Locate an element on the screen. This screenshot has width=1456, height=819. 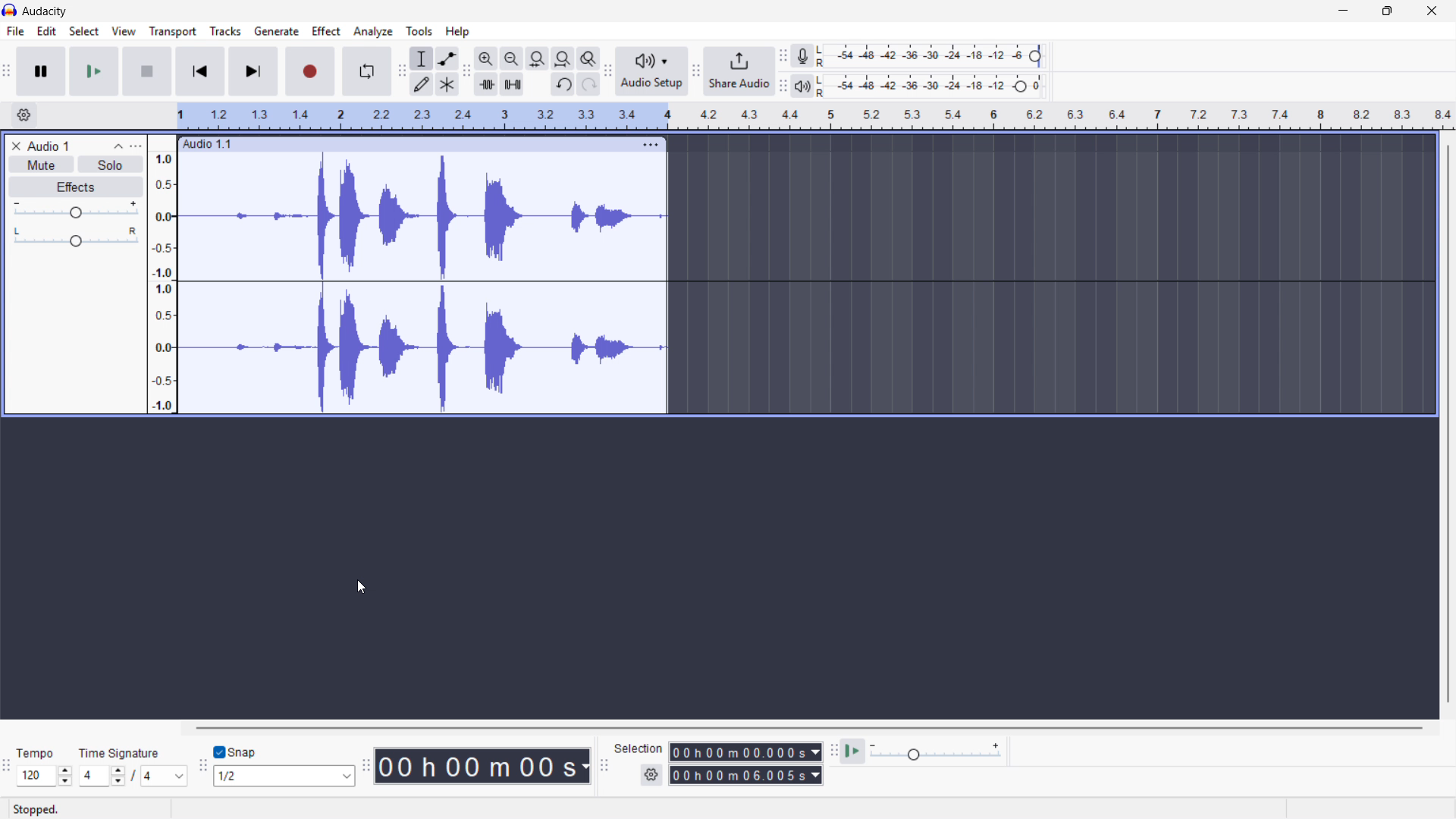
Time toolbar is located at coordinates (365, 767).